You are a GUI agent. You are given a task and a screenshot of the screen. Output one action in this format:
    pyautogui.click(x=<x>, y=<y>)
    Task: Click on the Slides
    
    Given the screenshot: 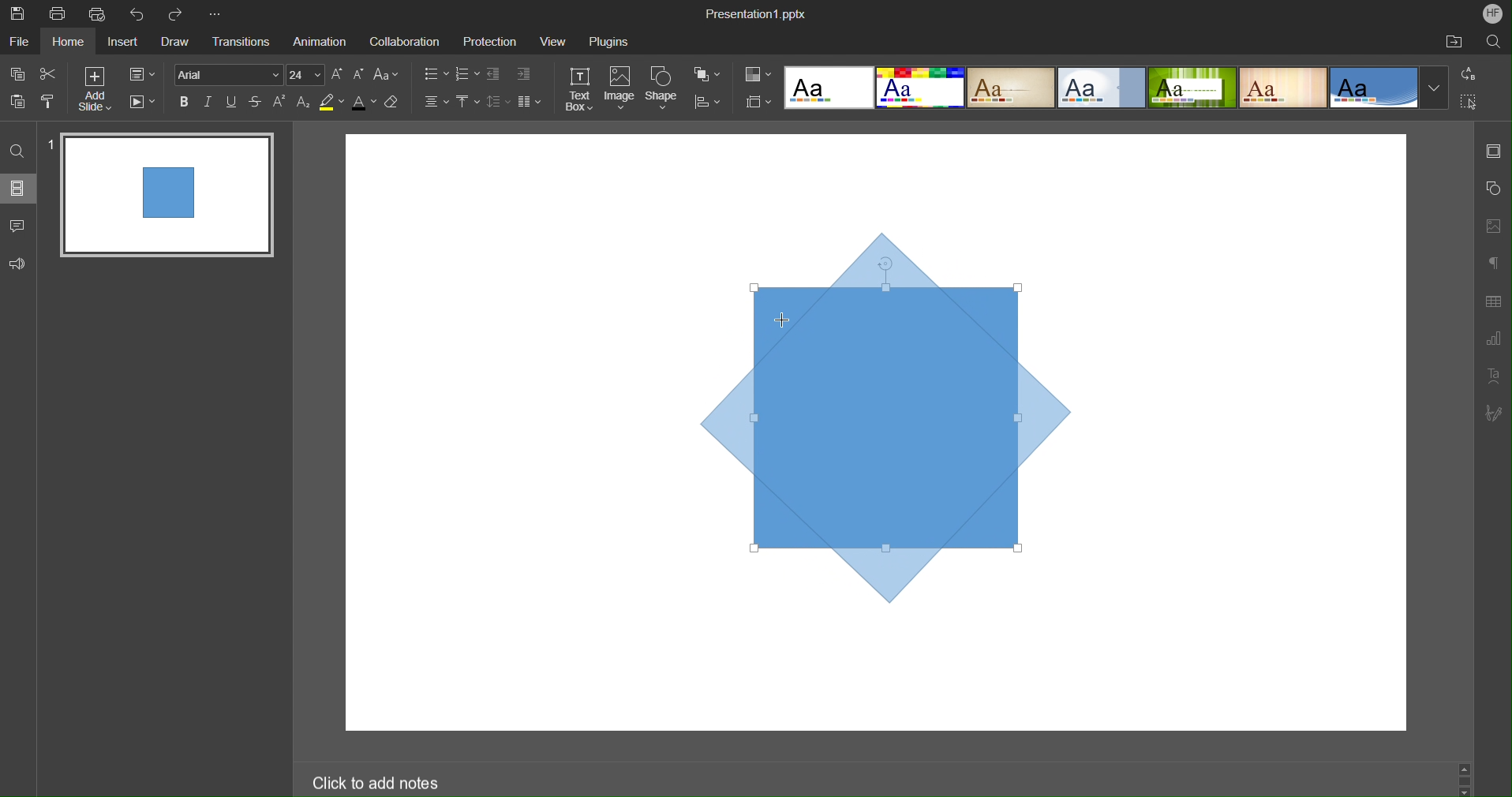 What is the action you would take?
    pyautogui.click(x=18, y=188)
    